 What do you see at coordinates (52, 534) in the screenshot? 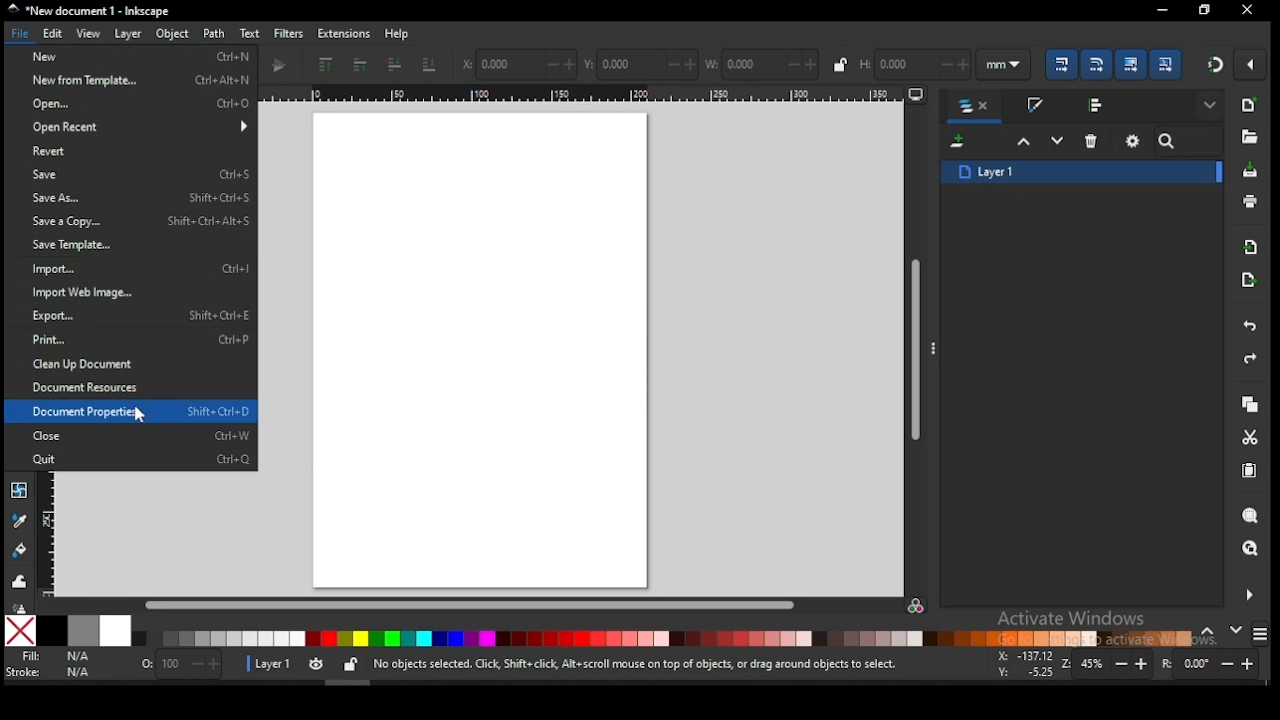
I see `vertical ruler` at bounding box center [52, 534].